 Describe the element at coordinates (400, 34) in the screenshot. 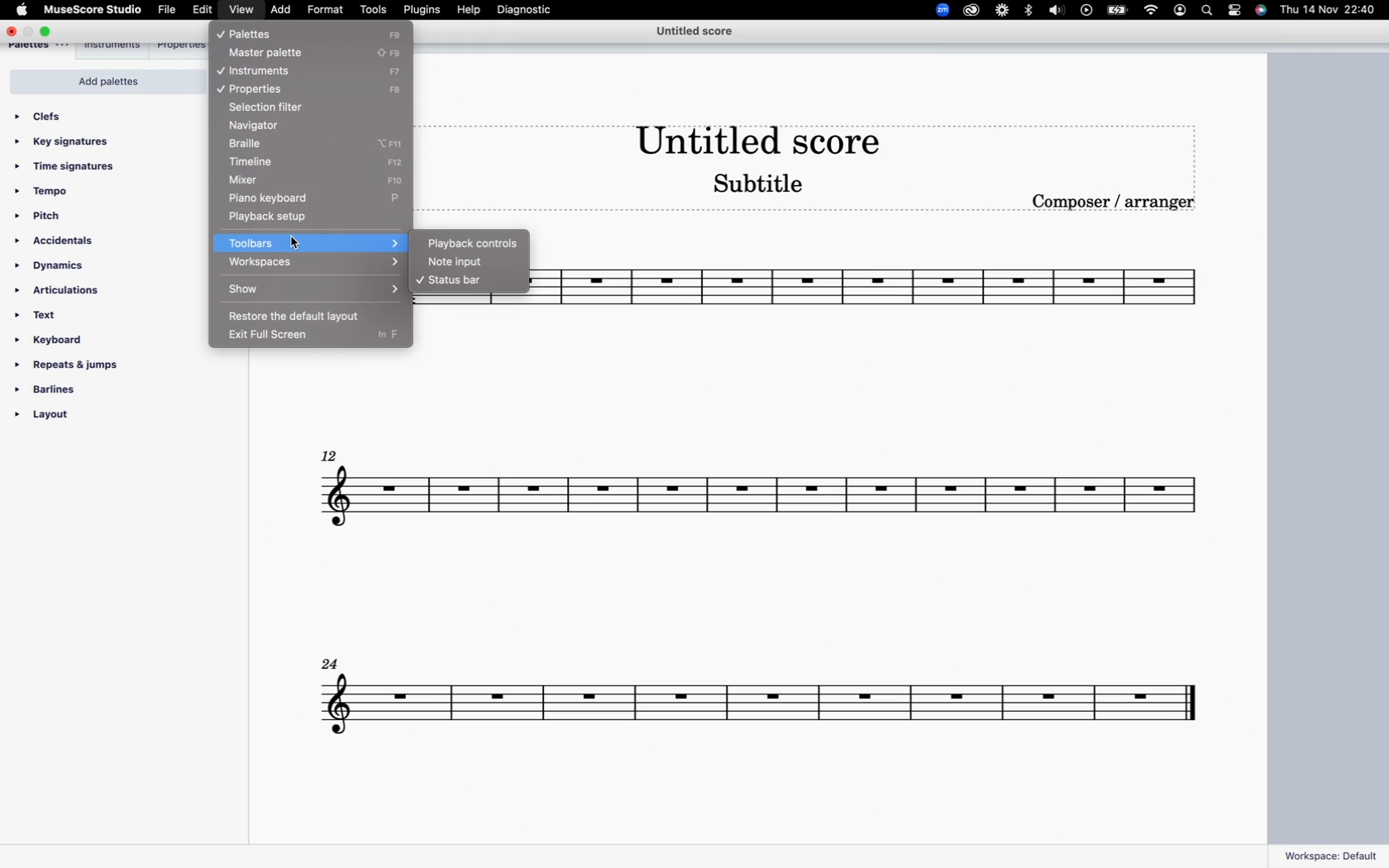

I see `F9` at that location.